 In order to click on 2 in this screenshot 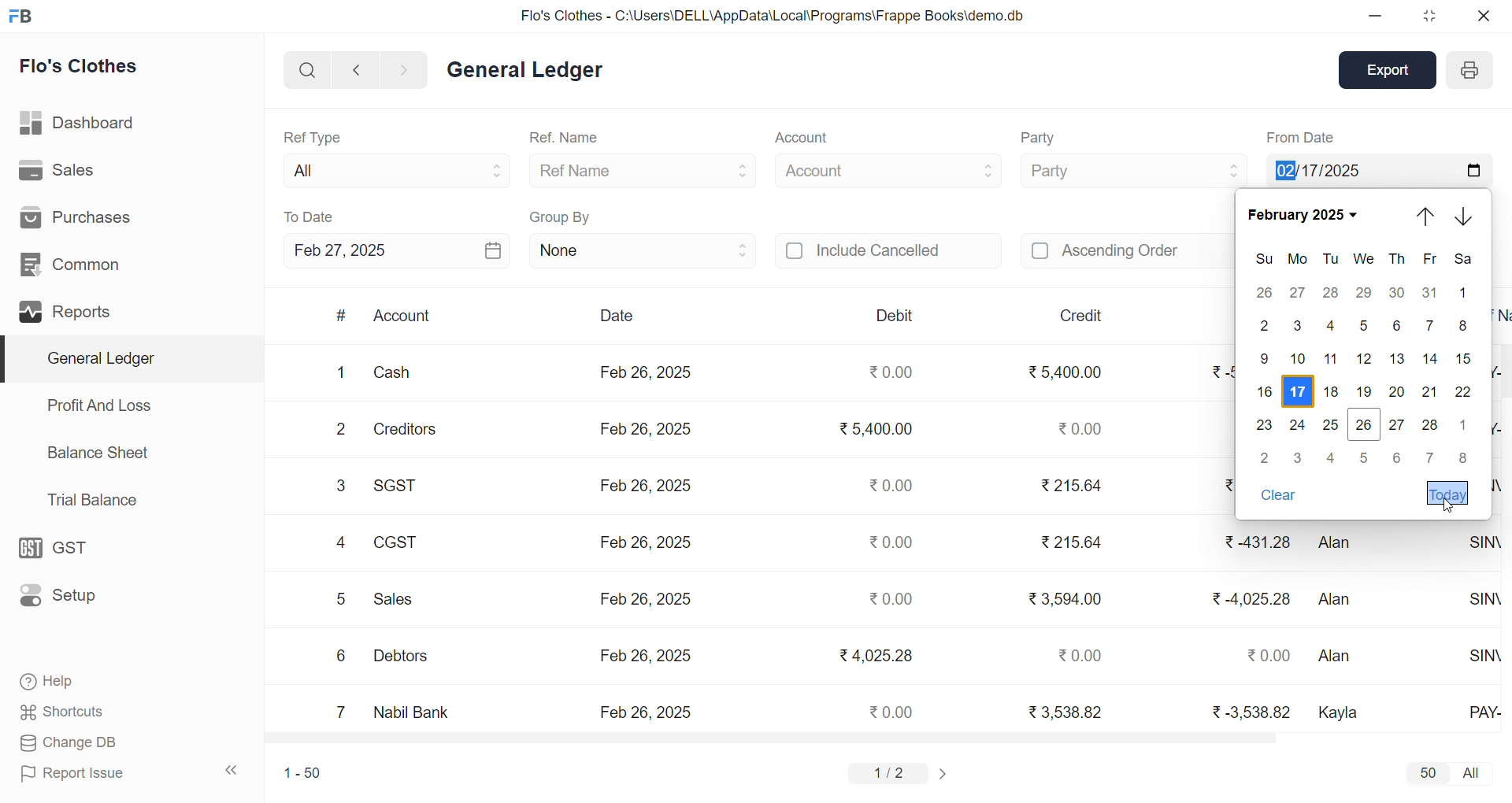, I will do `click(341, 428)`.